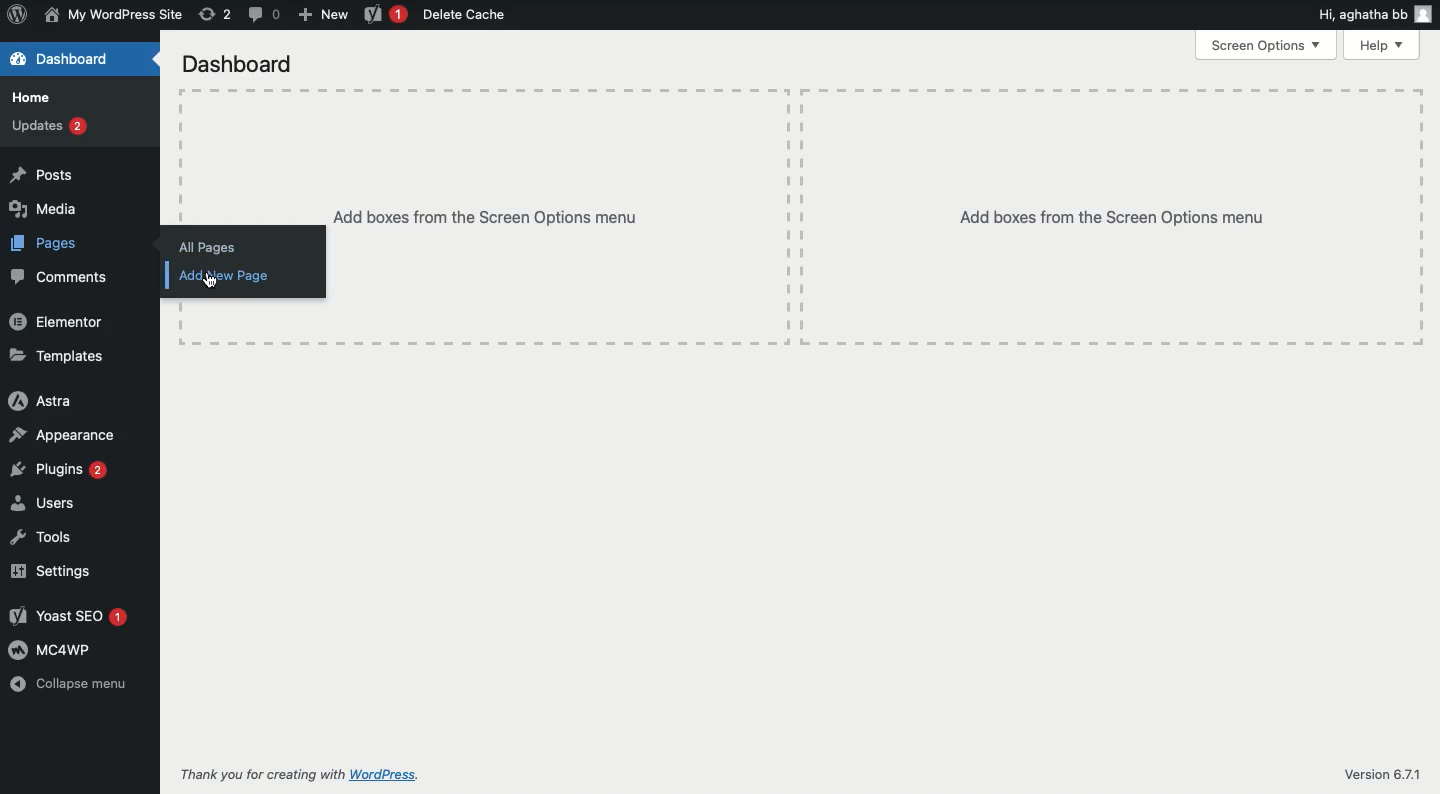 The height and width of the screenshot is (794, 1440). Describe the element at coordinates (793, 217) in the screenshot. I see `Table line` at that location.